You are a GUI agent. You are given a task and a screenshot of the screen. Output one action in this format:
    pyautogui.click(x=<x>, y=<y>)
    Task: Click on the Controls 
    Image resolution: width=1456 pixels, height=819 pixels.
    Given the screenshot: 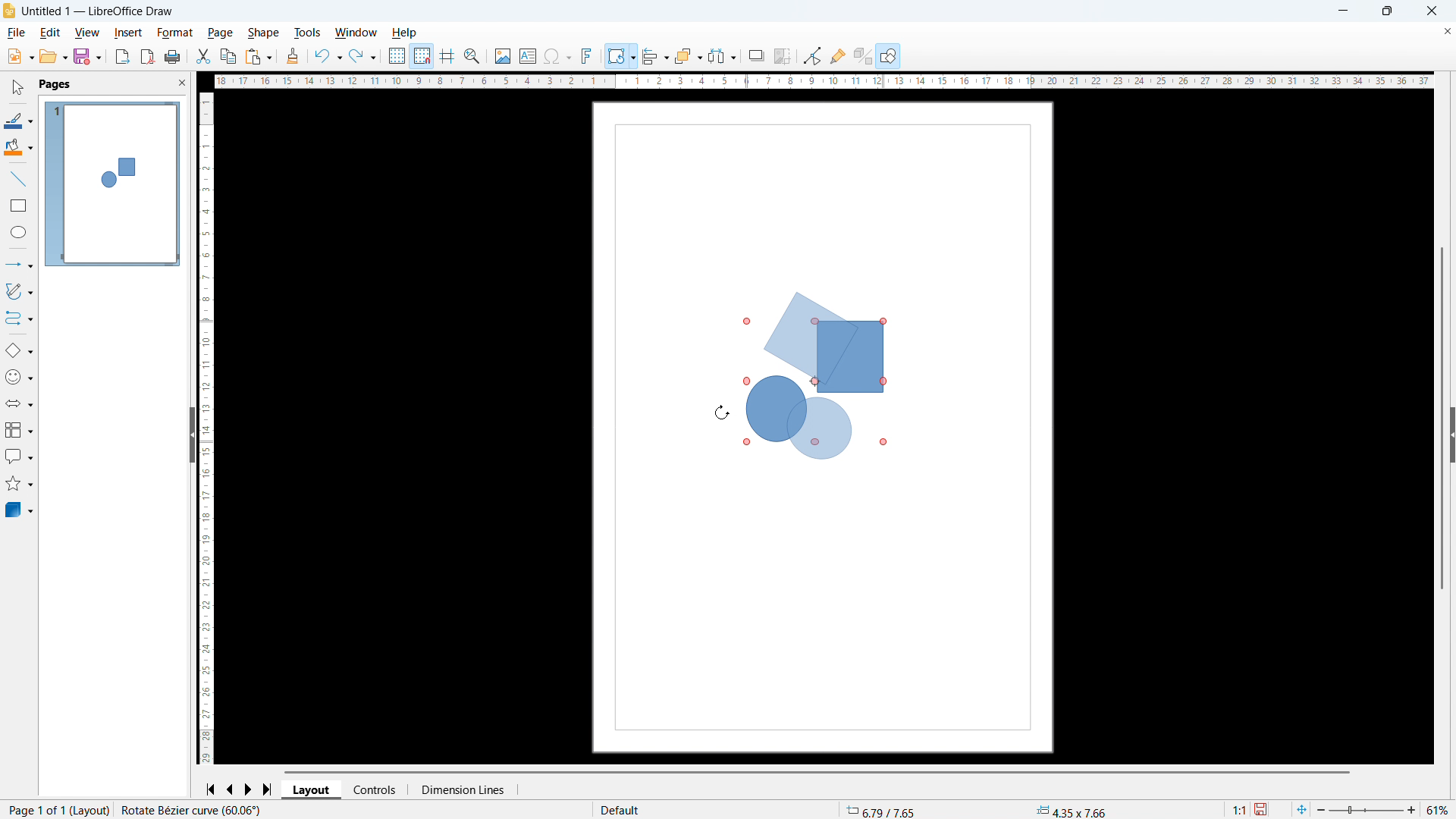 What is the action you would take?
    pyautogui.click(x=377, y=789)
    